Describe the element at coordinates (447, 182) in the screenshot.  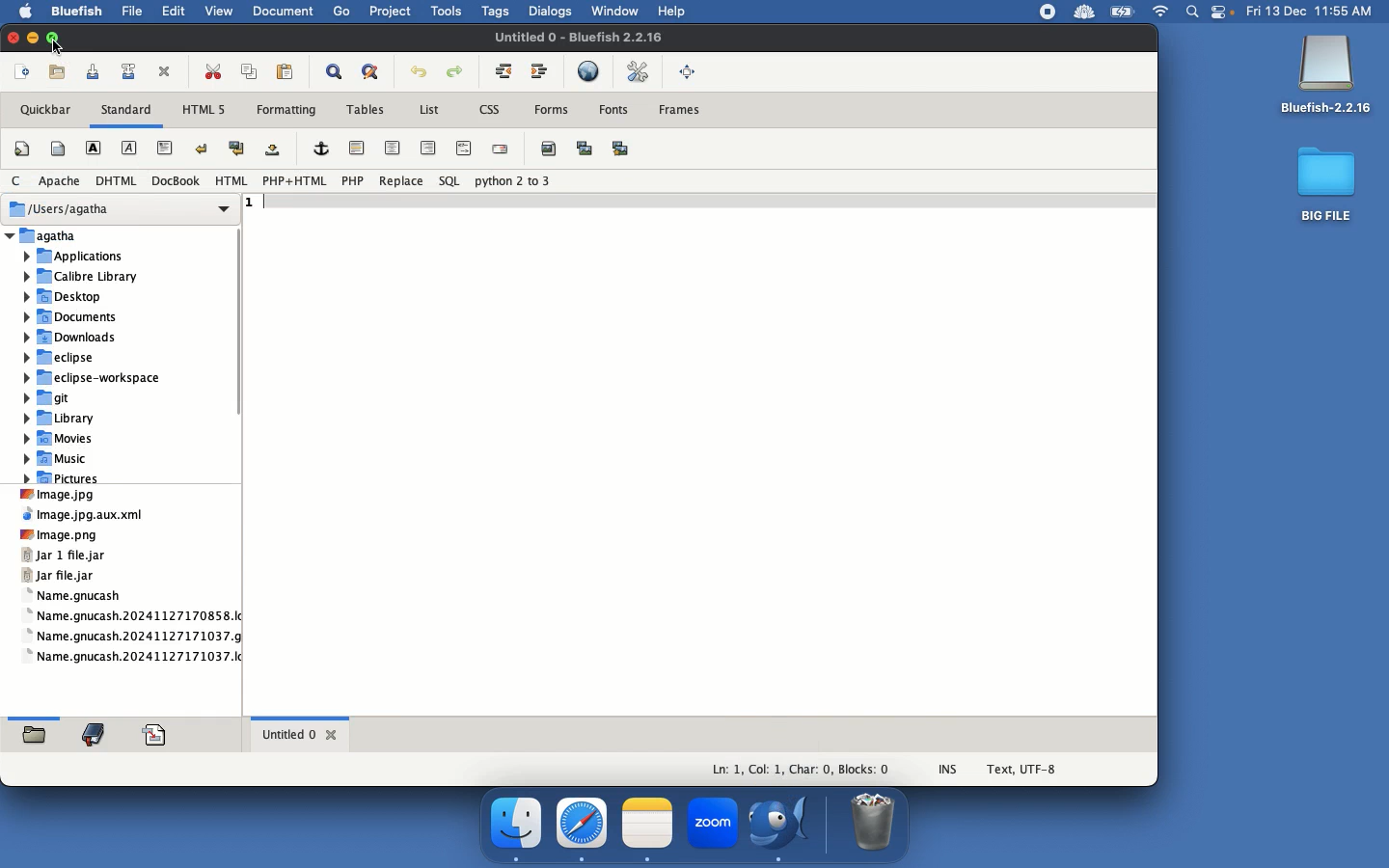
I see `SQL` at that location.